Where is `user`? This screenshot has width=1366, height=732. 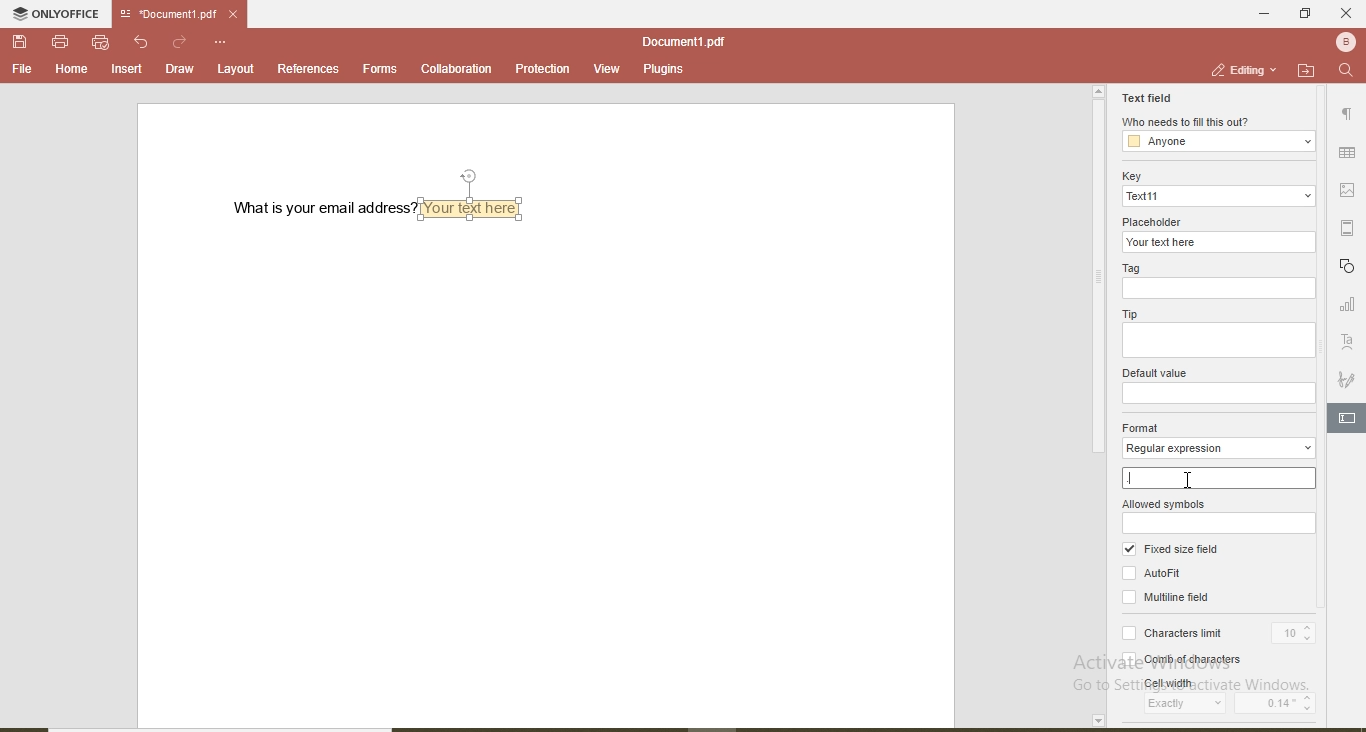 user is located at coordinates (1344, 41).